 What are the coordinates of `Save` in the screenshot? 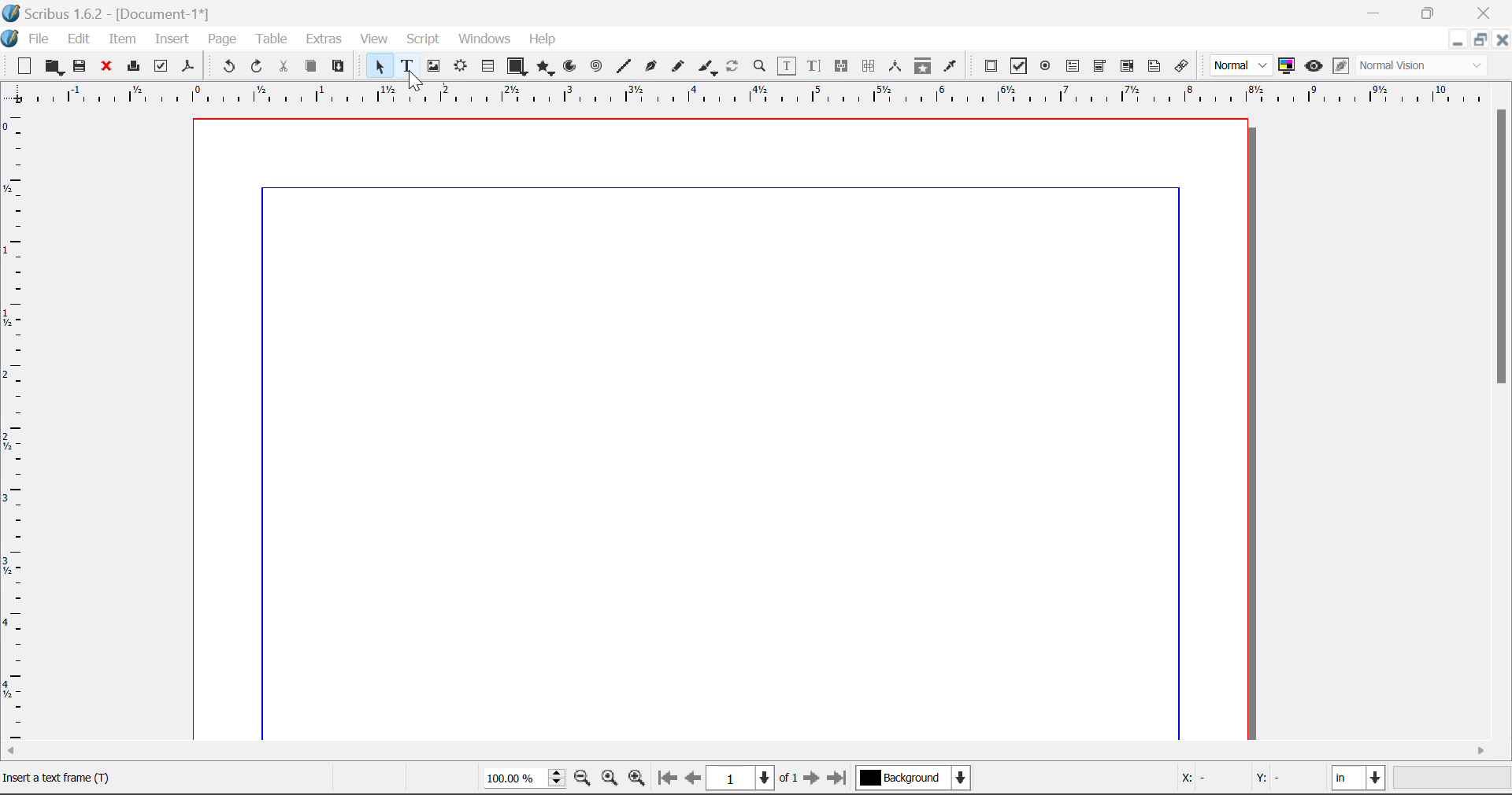 It's located at (81, 66).